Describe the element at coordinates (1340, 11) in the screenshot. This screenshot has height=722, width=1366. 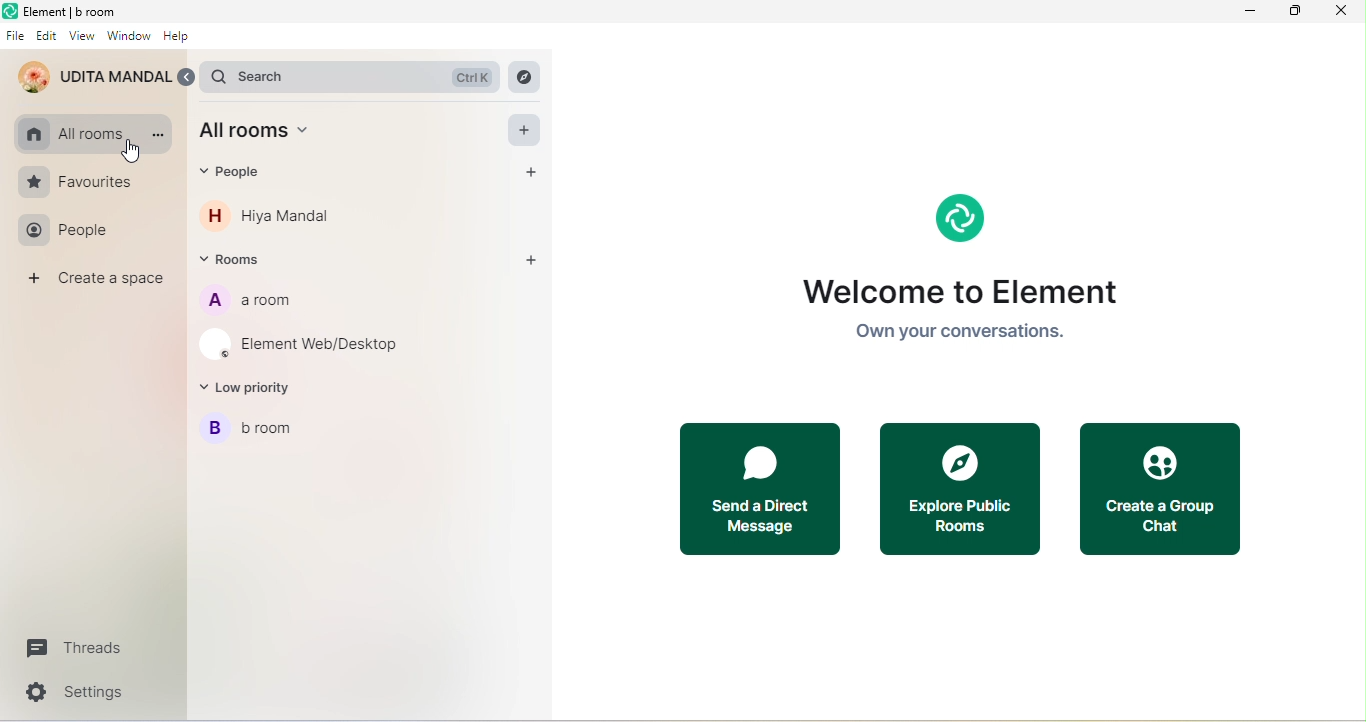
I see `close` at that location.